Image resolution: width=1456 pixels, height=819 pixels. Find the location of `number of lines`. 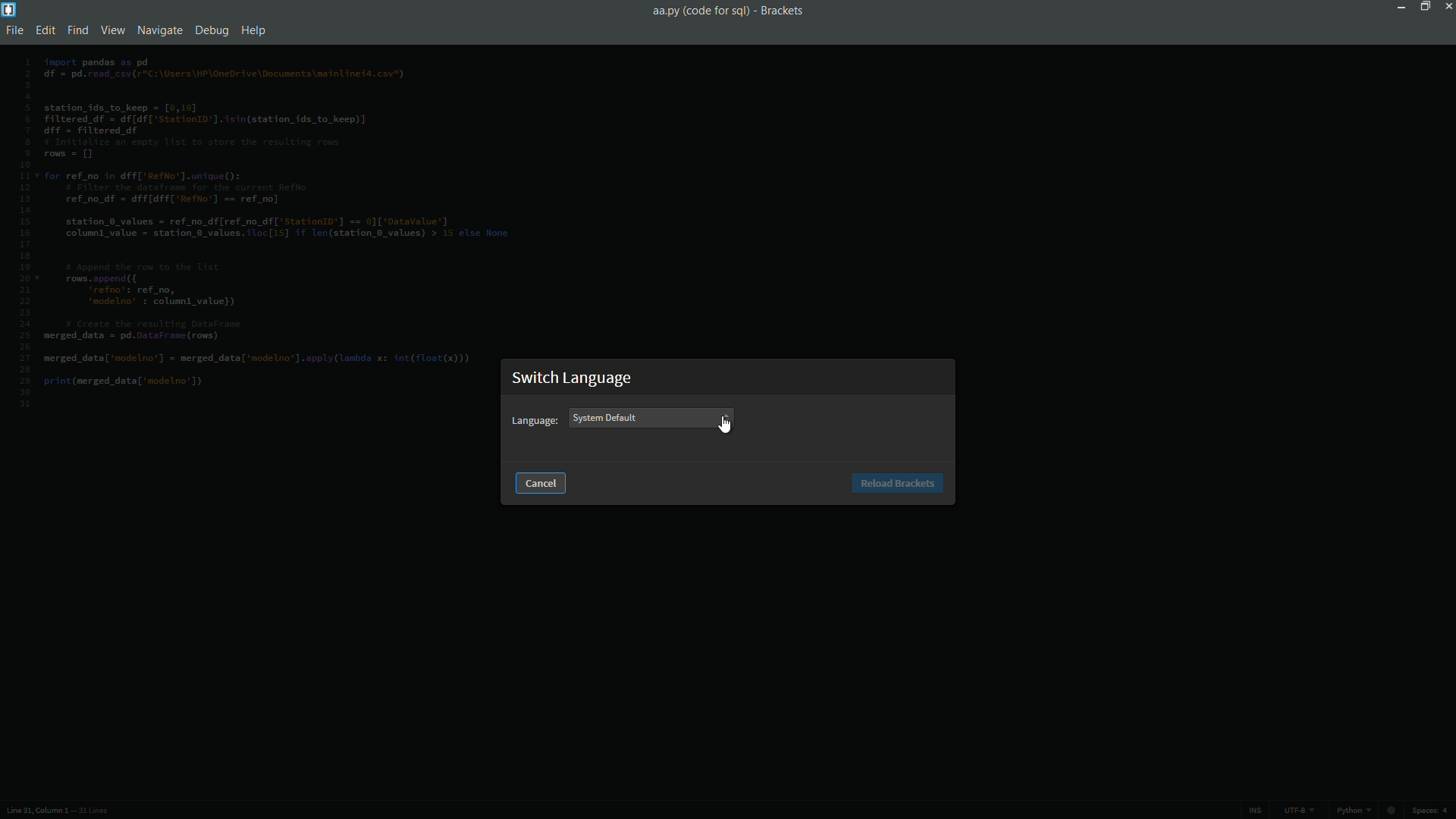

number of lines is located at coordinates (93, 812).